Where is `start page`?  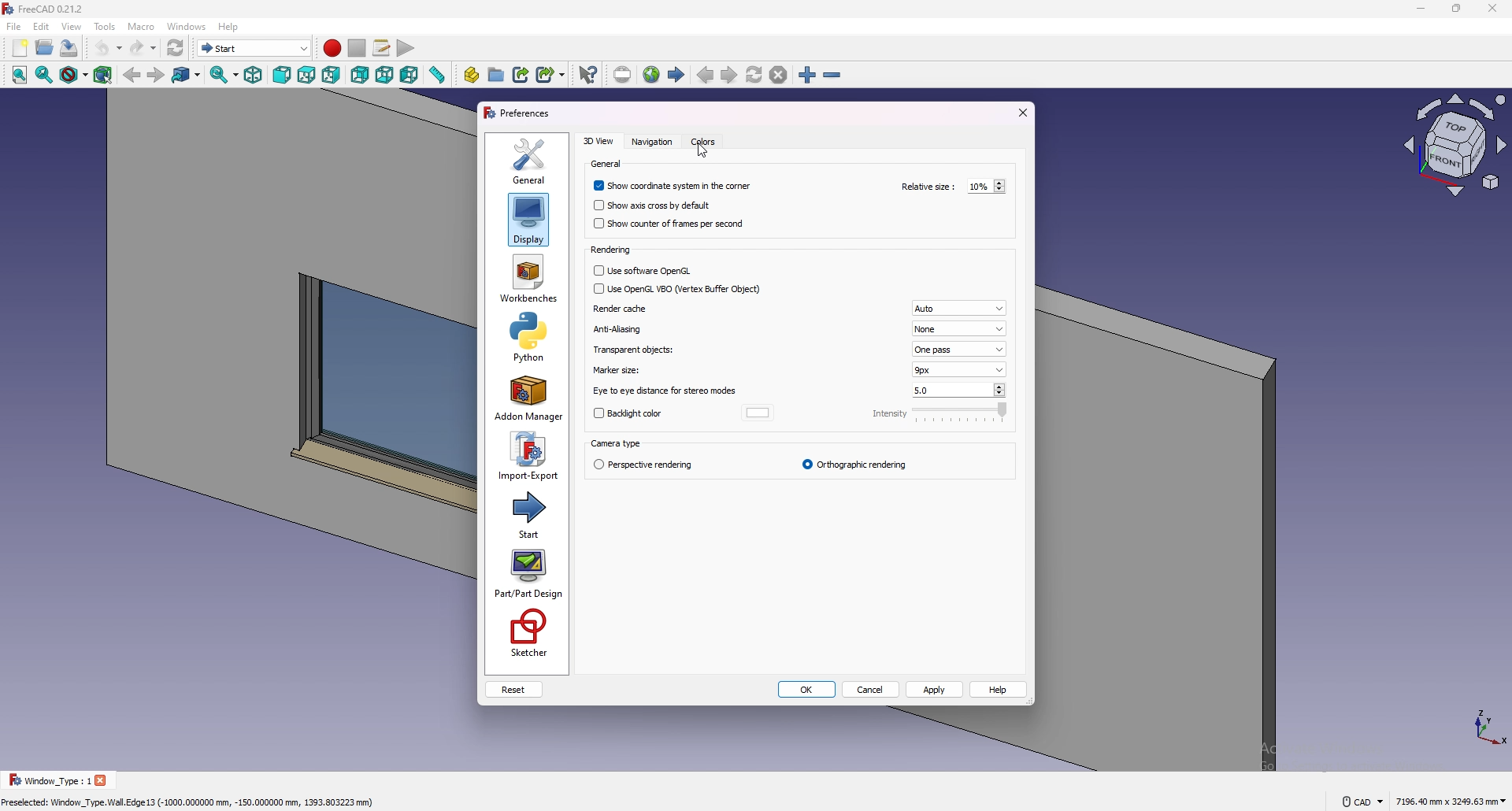
start page is located at coordinates (677, 75).